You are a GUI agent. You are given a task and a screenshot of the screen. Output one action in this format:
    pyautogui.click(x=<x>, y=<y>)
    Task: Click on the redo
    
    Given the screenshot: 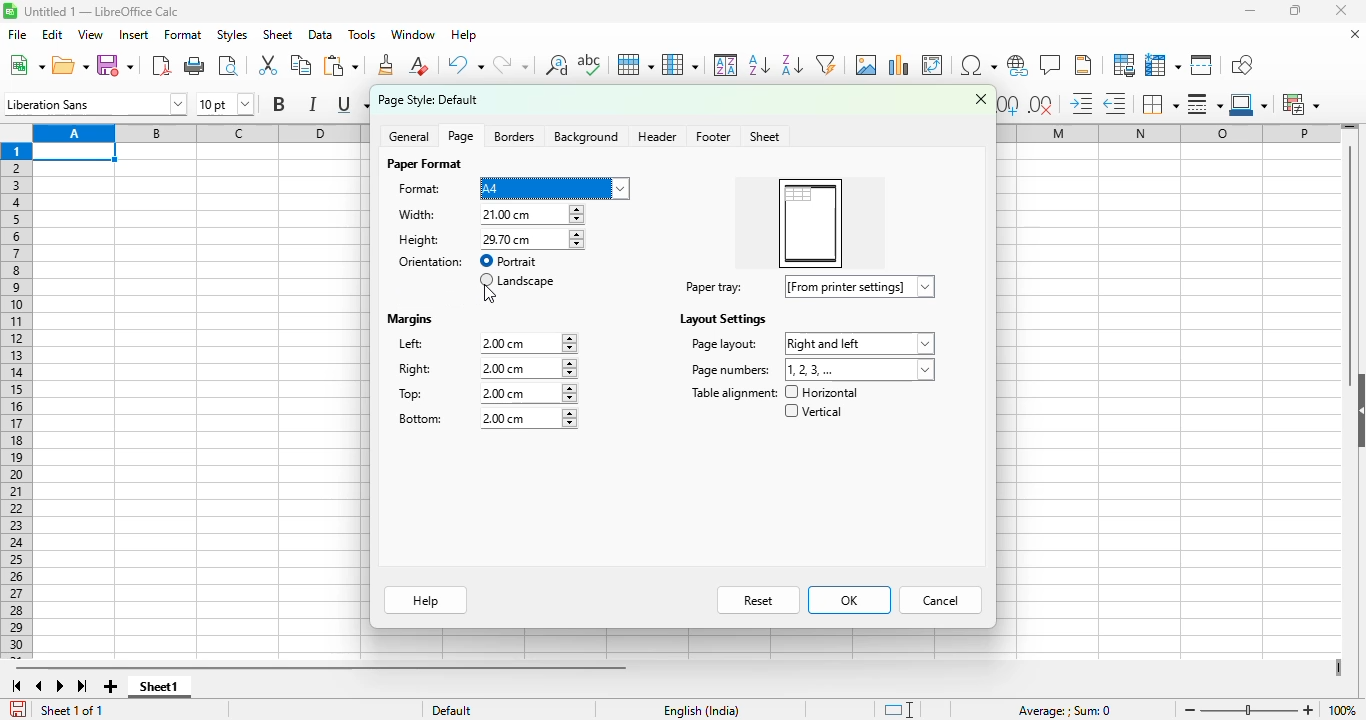 What is the action you would take?
    pyautogui.click(x=511, y=64)
    